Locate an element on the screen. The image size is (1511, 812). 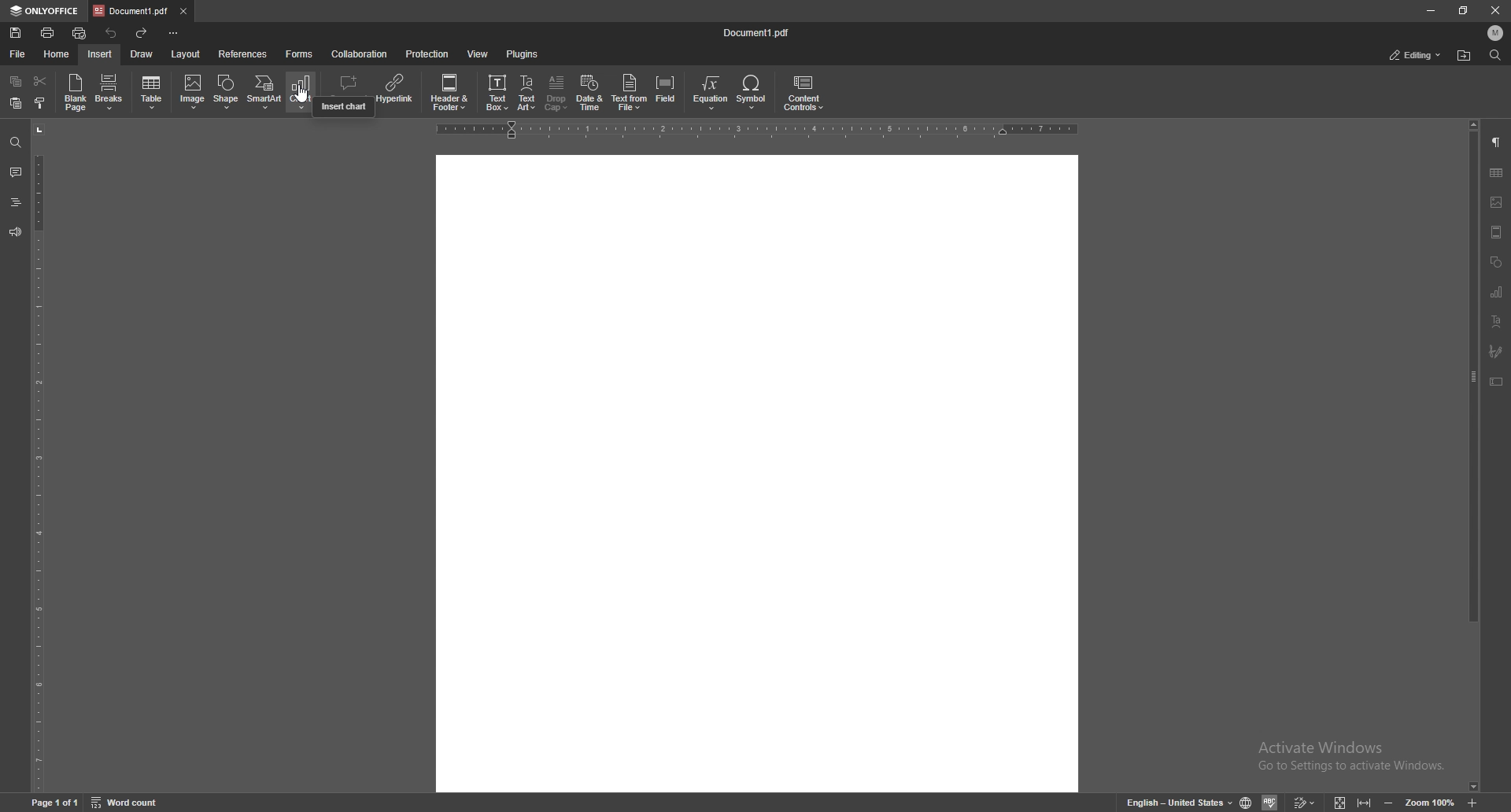
header/footer is located at coordinates (1498, 232).